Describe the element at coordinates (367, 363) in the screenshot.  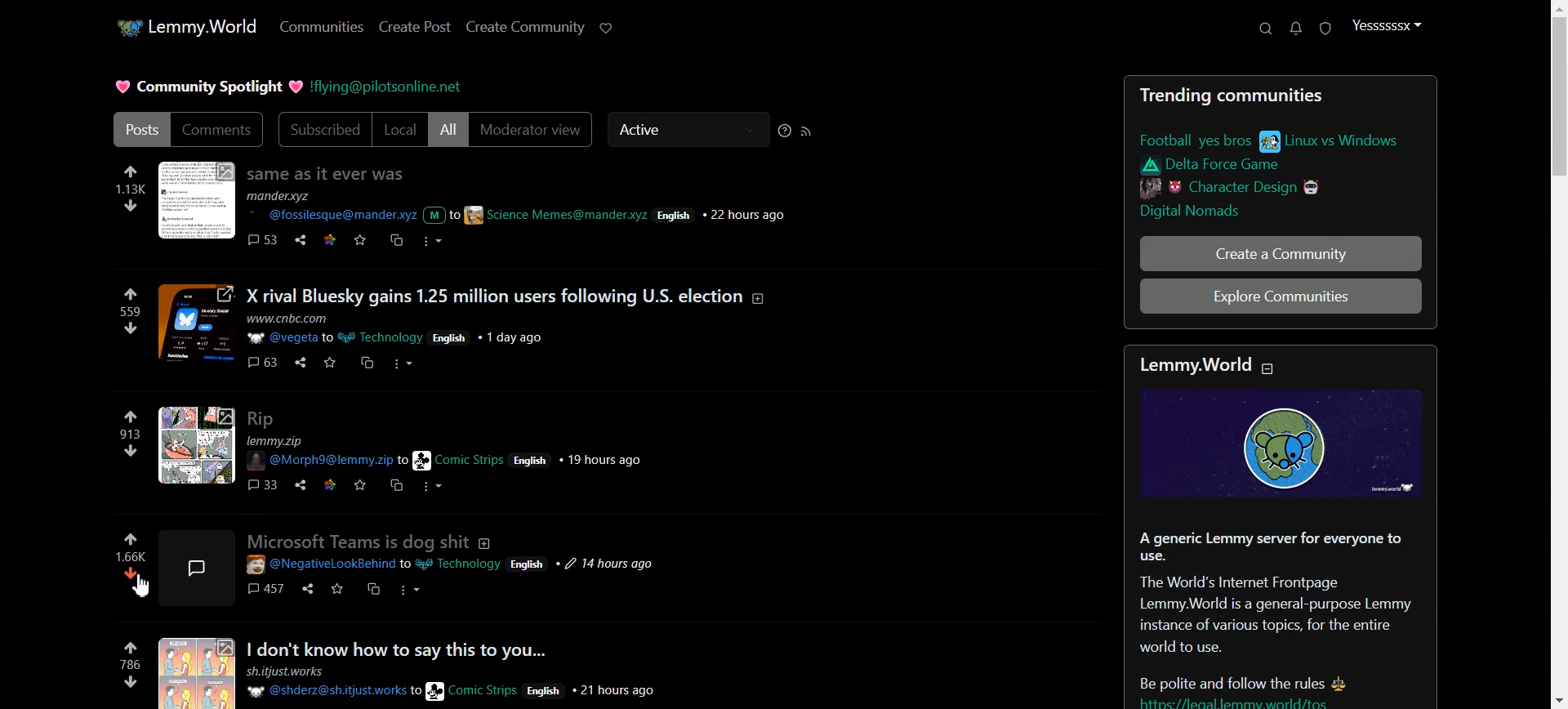
I see `cs` at that location.